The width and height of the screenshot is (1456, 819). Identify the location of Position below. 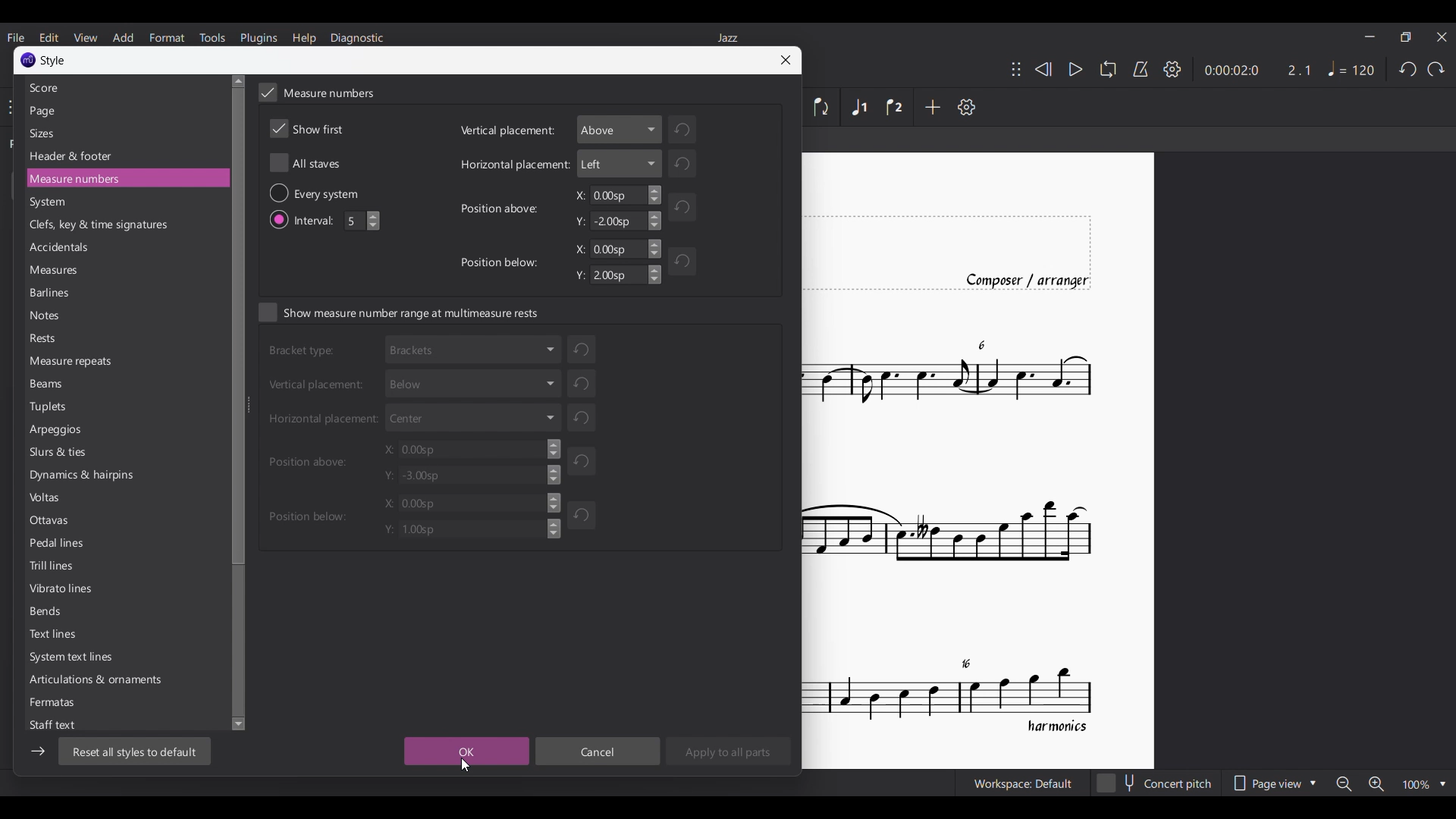
(306, 514).